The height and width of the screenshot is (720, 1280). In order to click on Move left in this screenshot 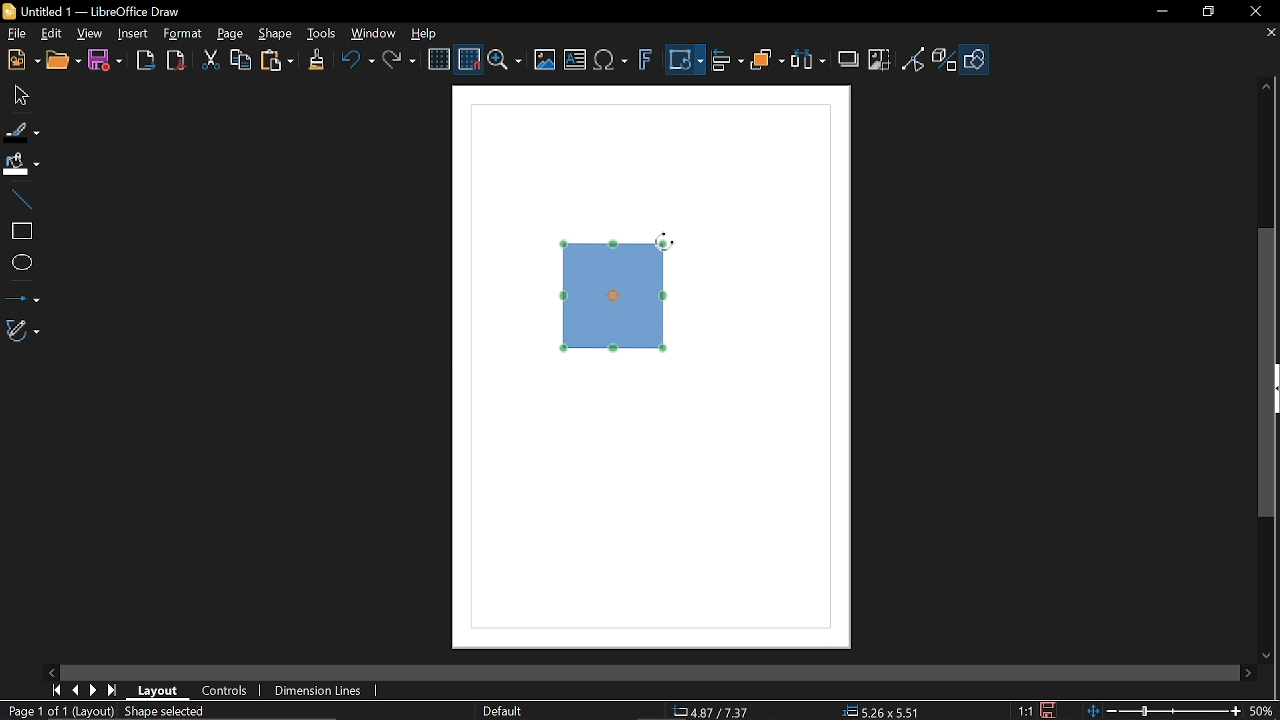, I will do `click(52, 672)`.